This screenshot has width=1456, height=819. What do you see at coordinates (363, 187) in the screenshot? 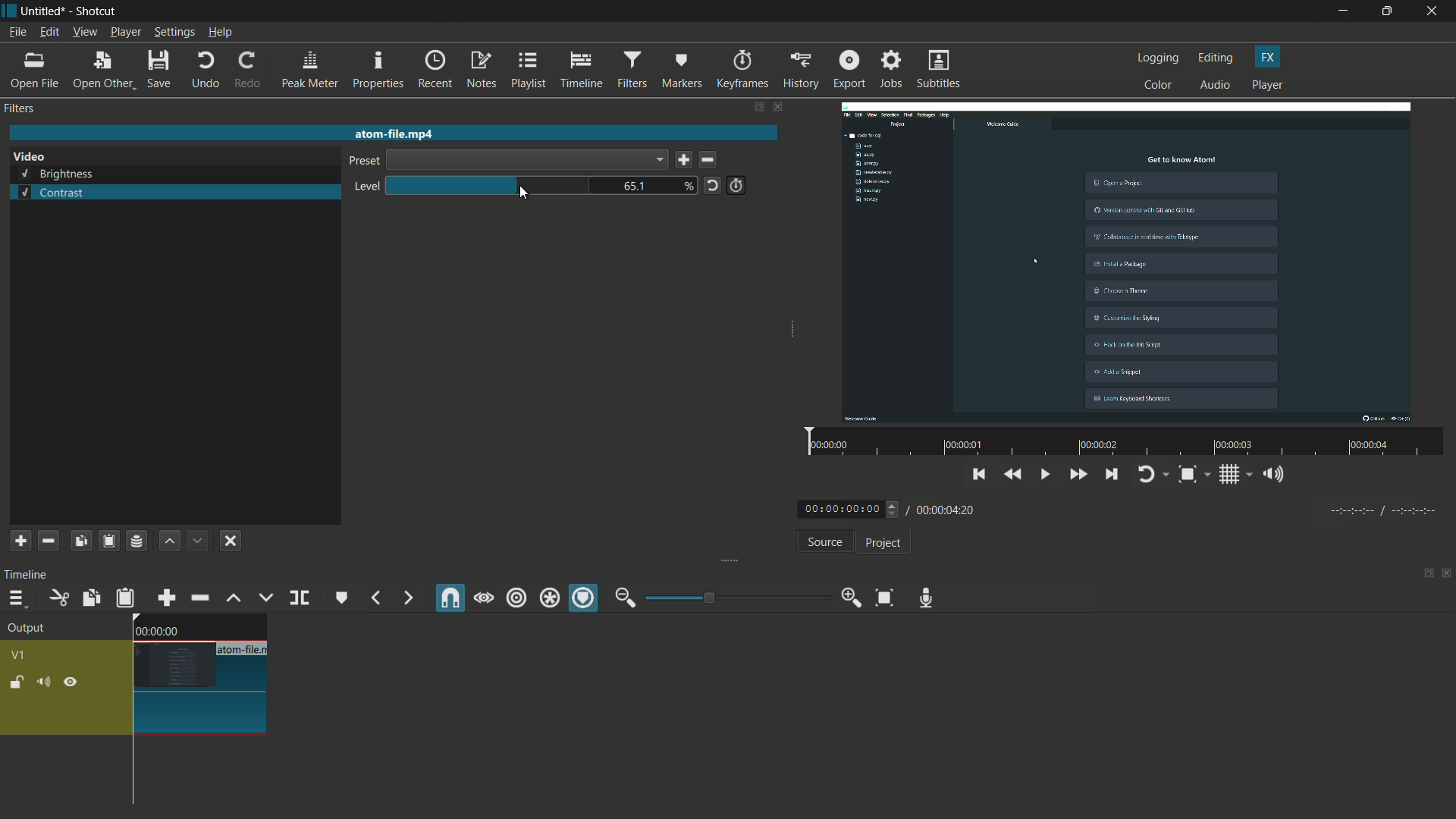
I see `level` at bounding box center [363, 187].